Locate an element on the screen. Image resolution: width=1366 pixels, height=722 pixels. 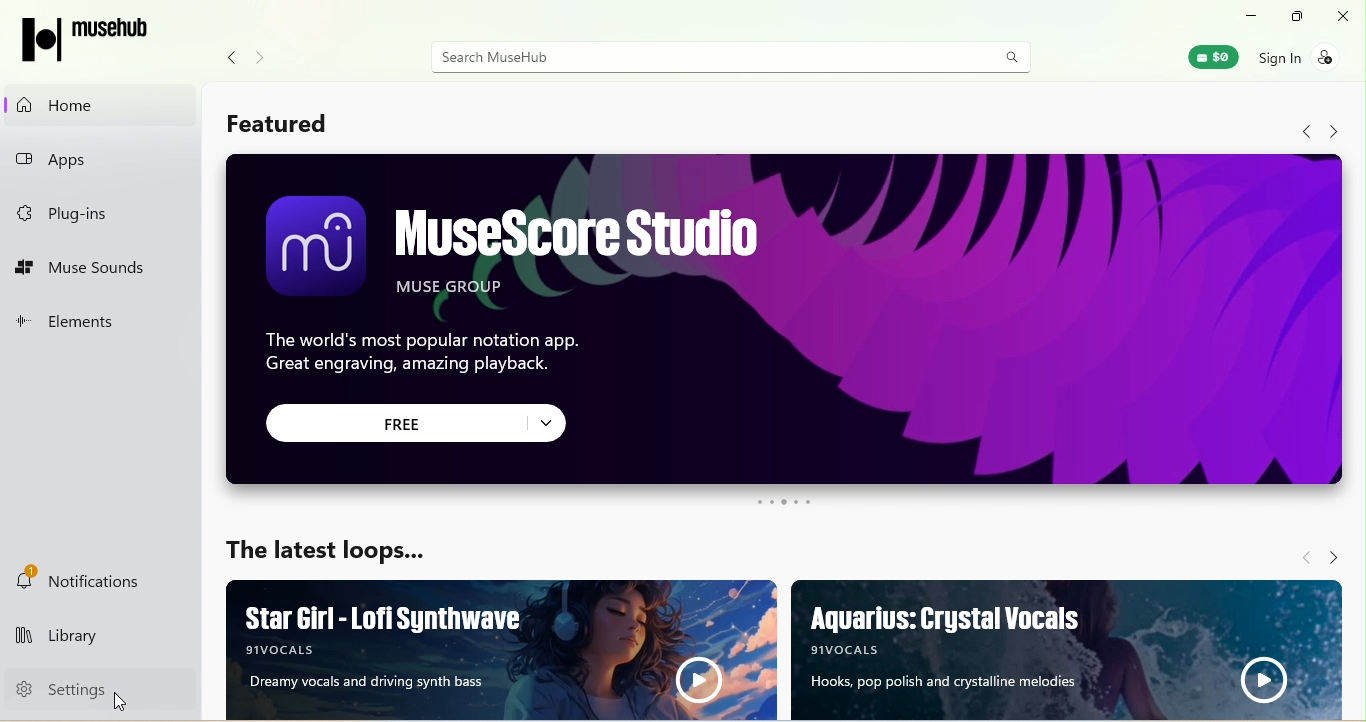
Navigate back is located at coordinates (1300, 555).